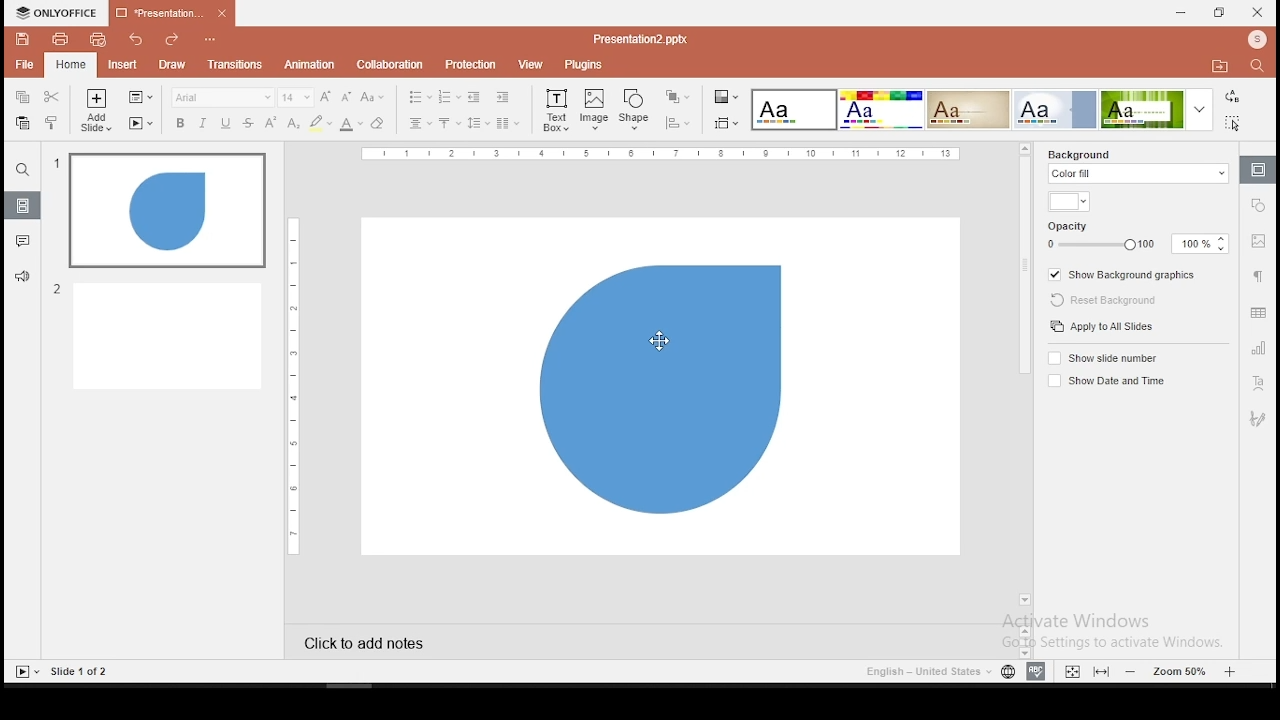 The height and width of the screenshot is (720, 1280). What do you see at coordinates (21, 98) in the screenshot?
I see `copy` at bounding box center [21, 98].